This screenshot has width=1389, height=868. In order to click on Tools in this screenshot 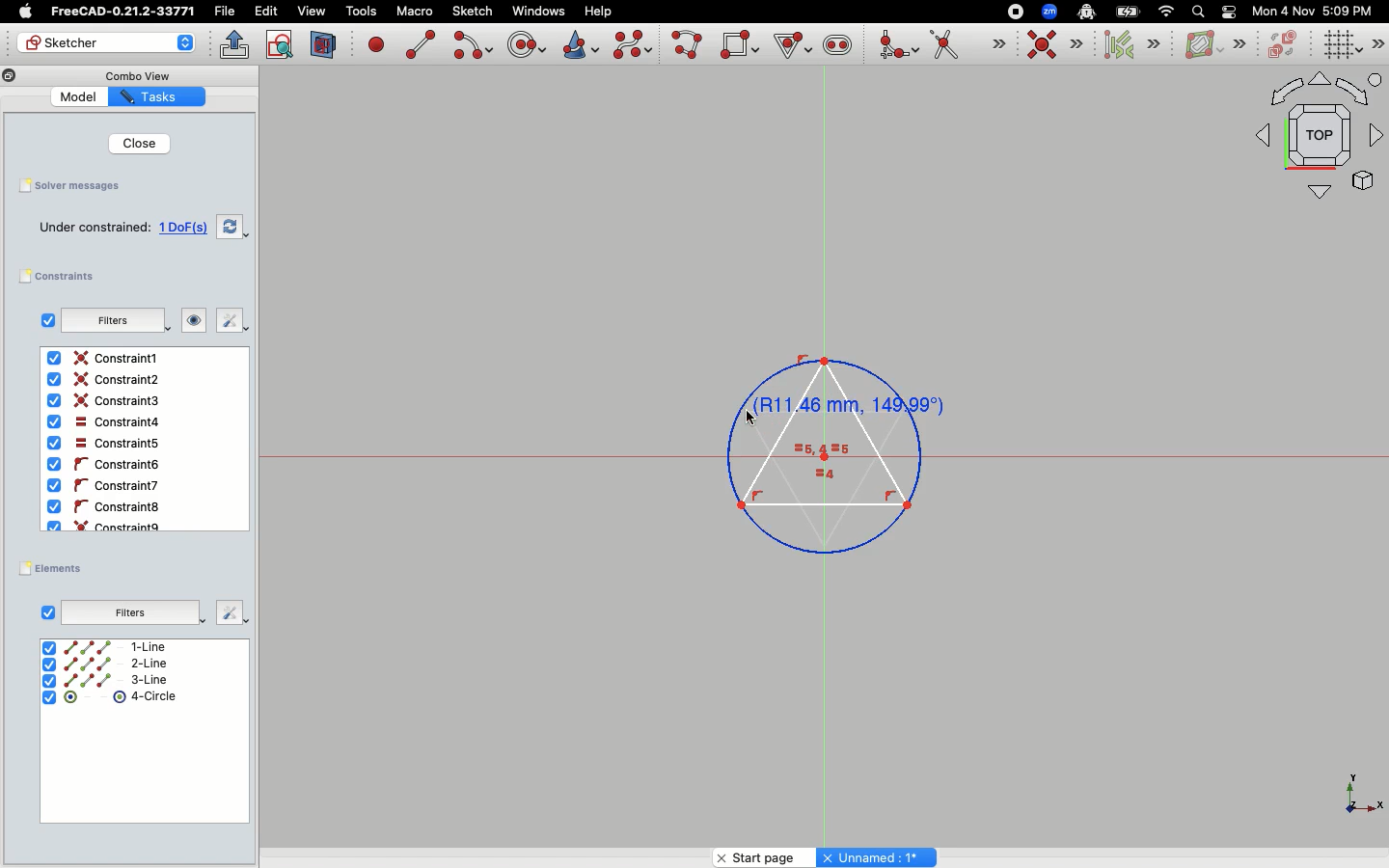, I will do `click(361, 13)`.